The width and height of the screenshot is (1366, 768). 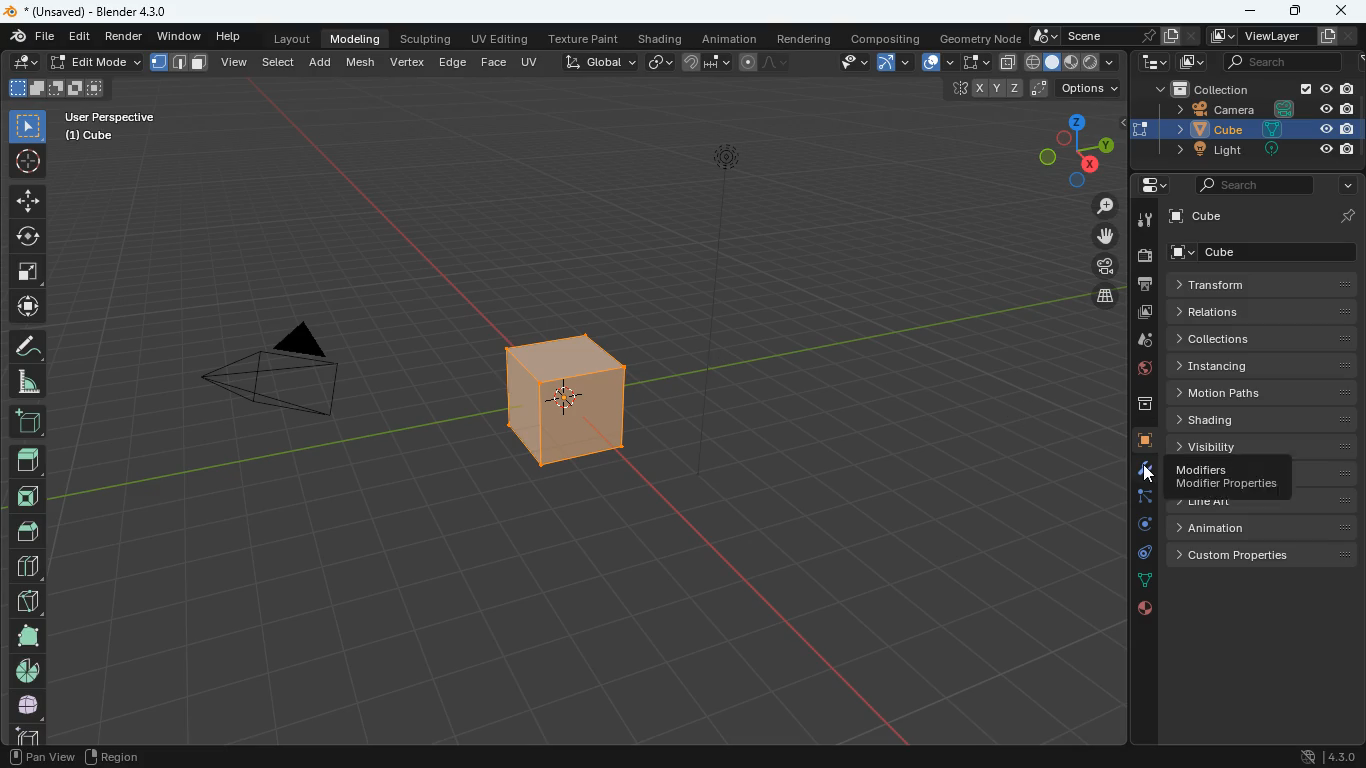 I want to click on format, so click(x=181, y=63).